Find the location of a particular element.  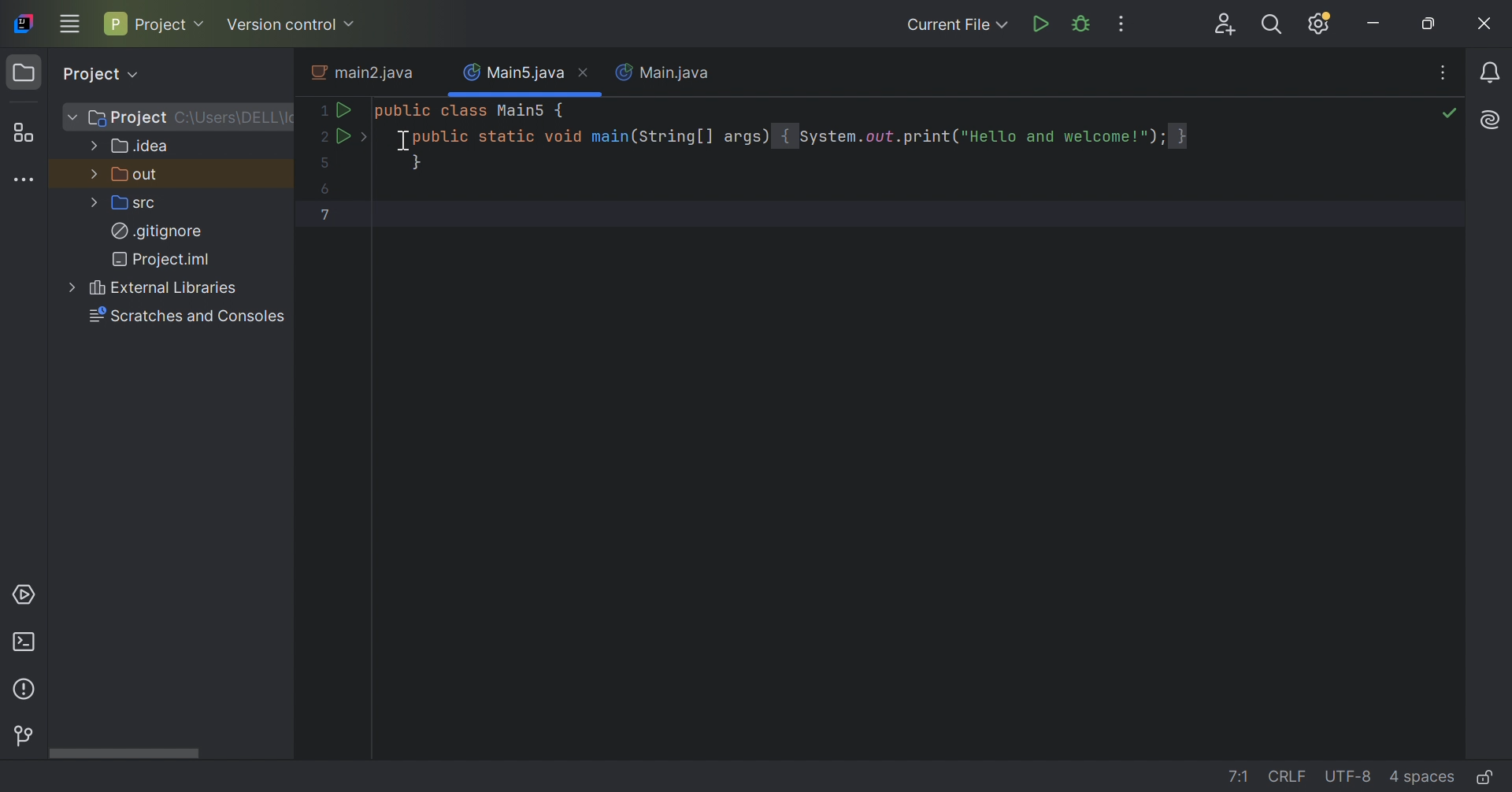

Updates available. IDE and Project Settings. is located at coordinates (1318, 23).